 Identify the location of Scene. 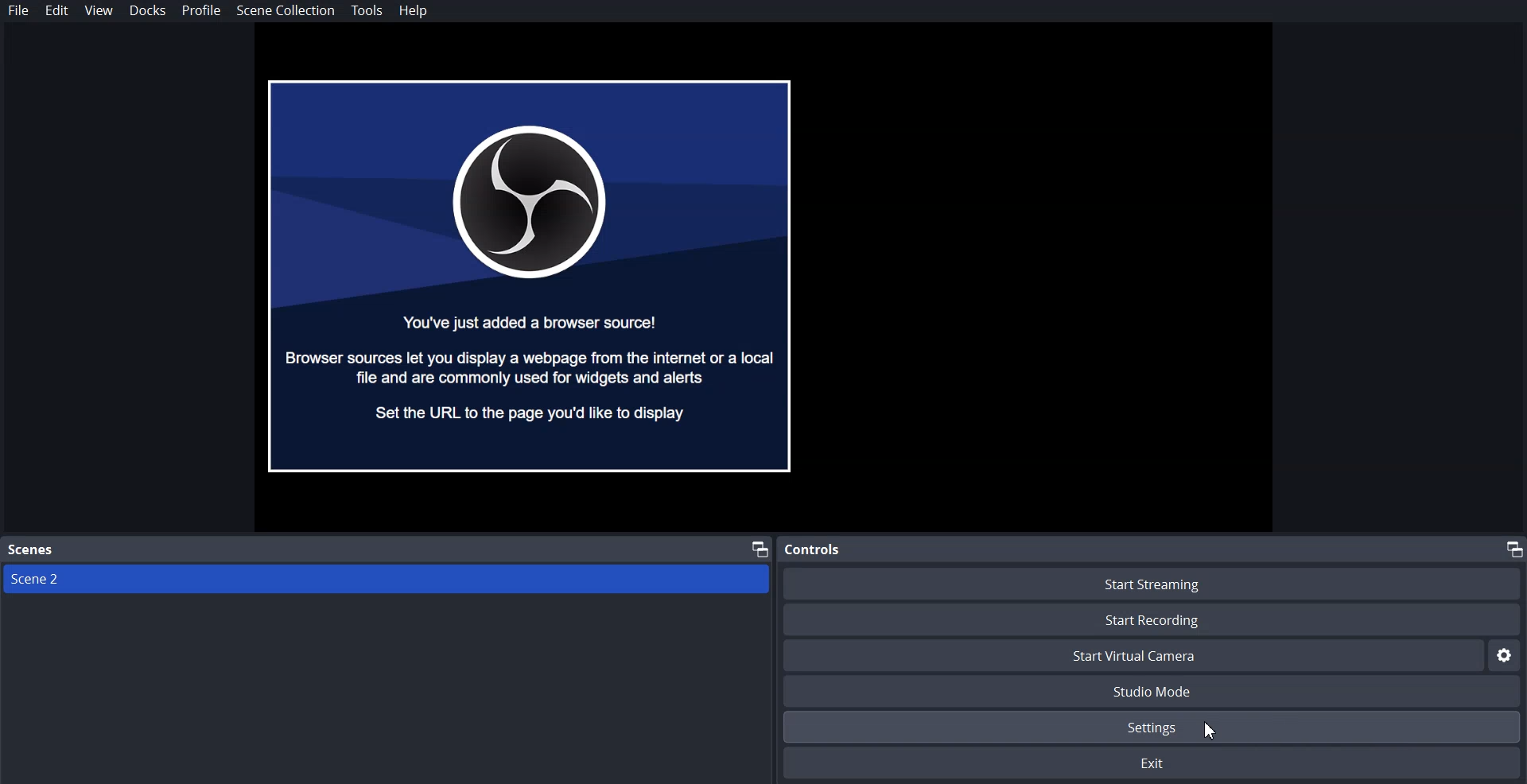
(382, 581).